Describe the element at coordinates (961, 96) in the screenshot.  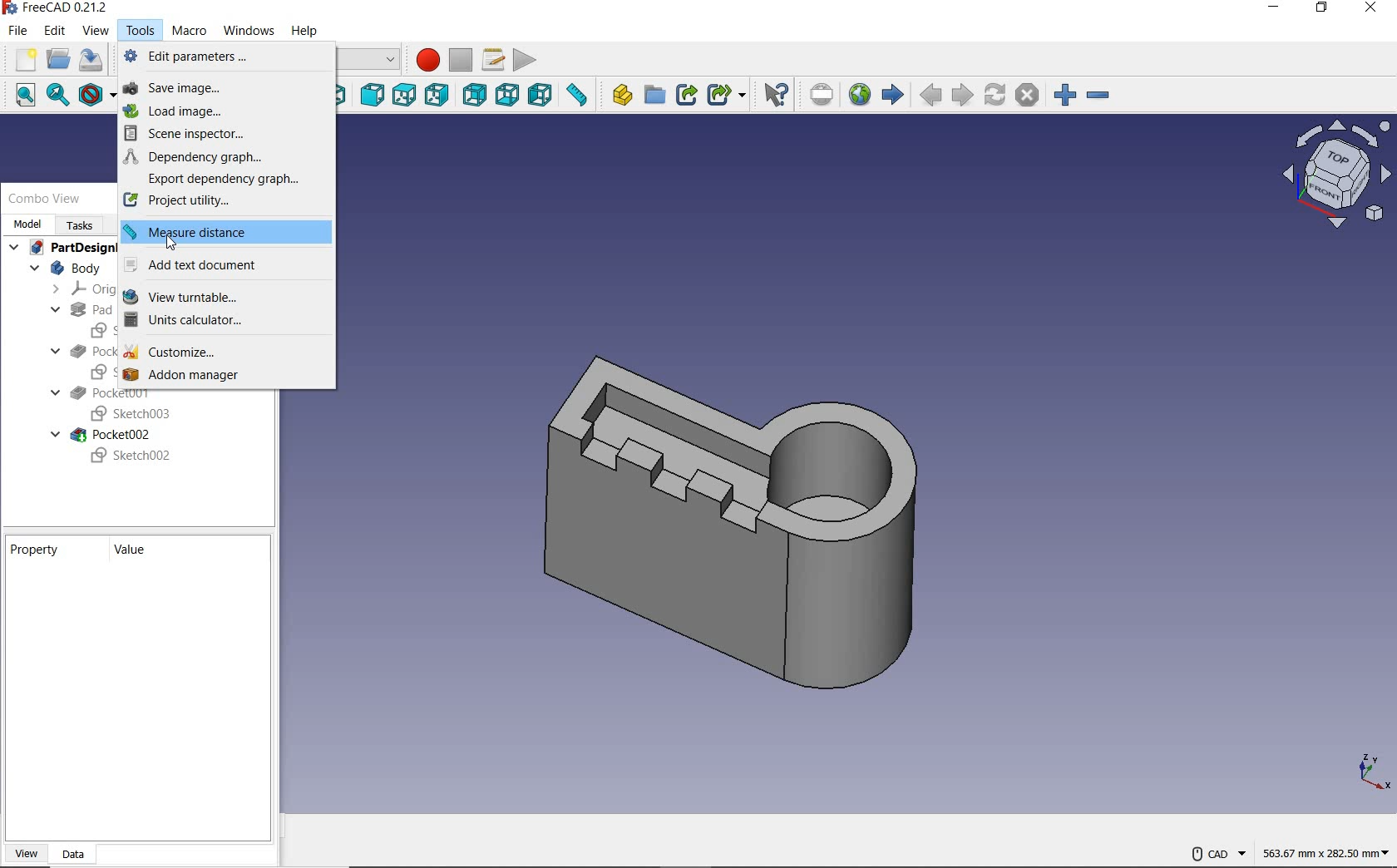
I see `next page` at that location.